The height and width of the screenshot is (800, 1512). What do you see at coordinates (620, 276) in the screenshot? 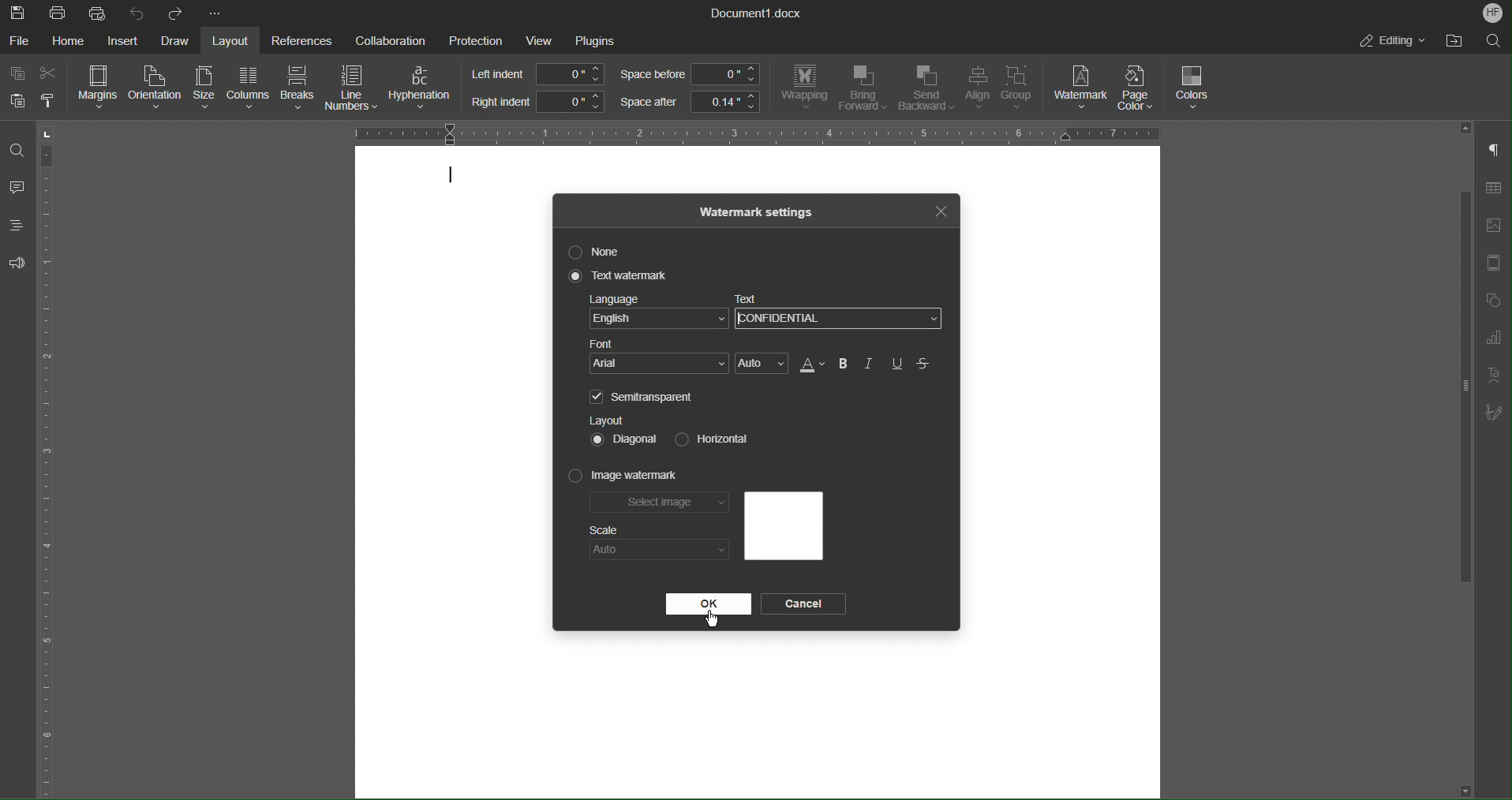
I see `Text Watermark (selected)` at bounding box center [620, 276].